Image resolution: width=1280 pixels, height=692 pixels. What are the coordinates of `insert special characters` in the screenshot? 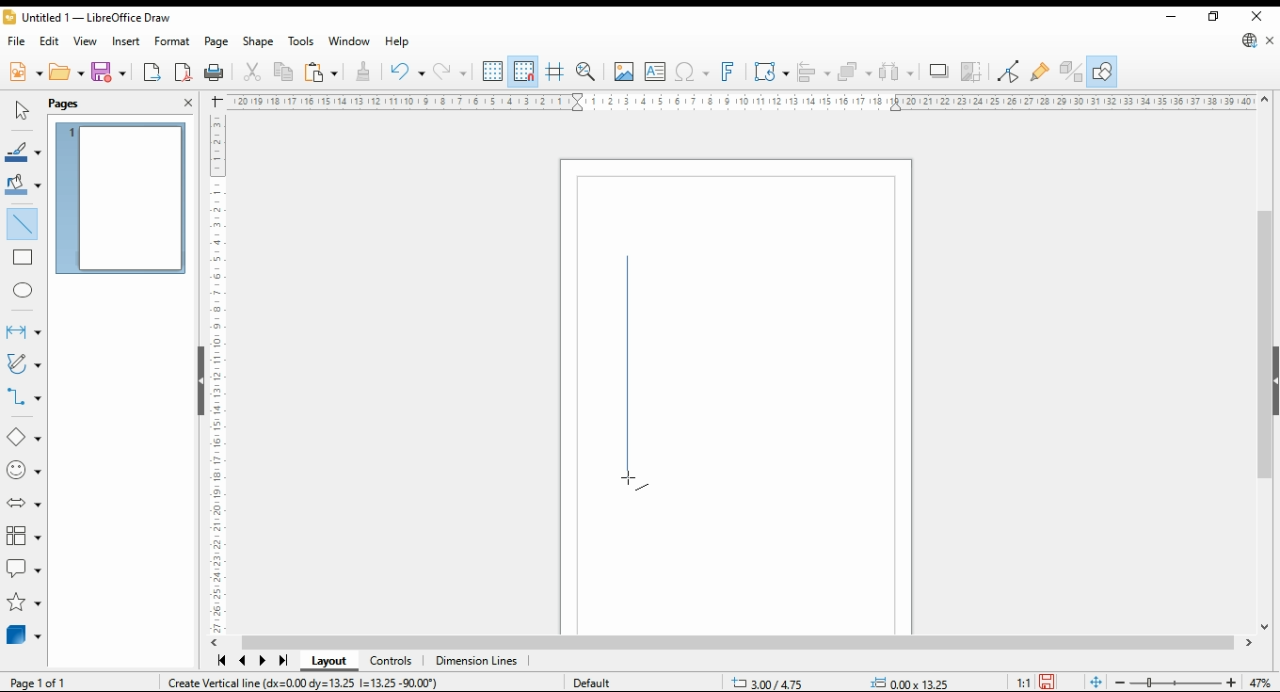 It's located at (692, 72).